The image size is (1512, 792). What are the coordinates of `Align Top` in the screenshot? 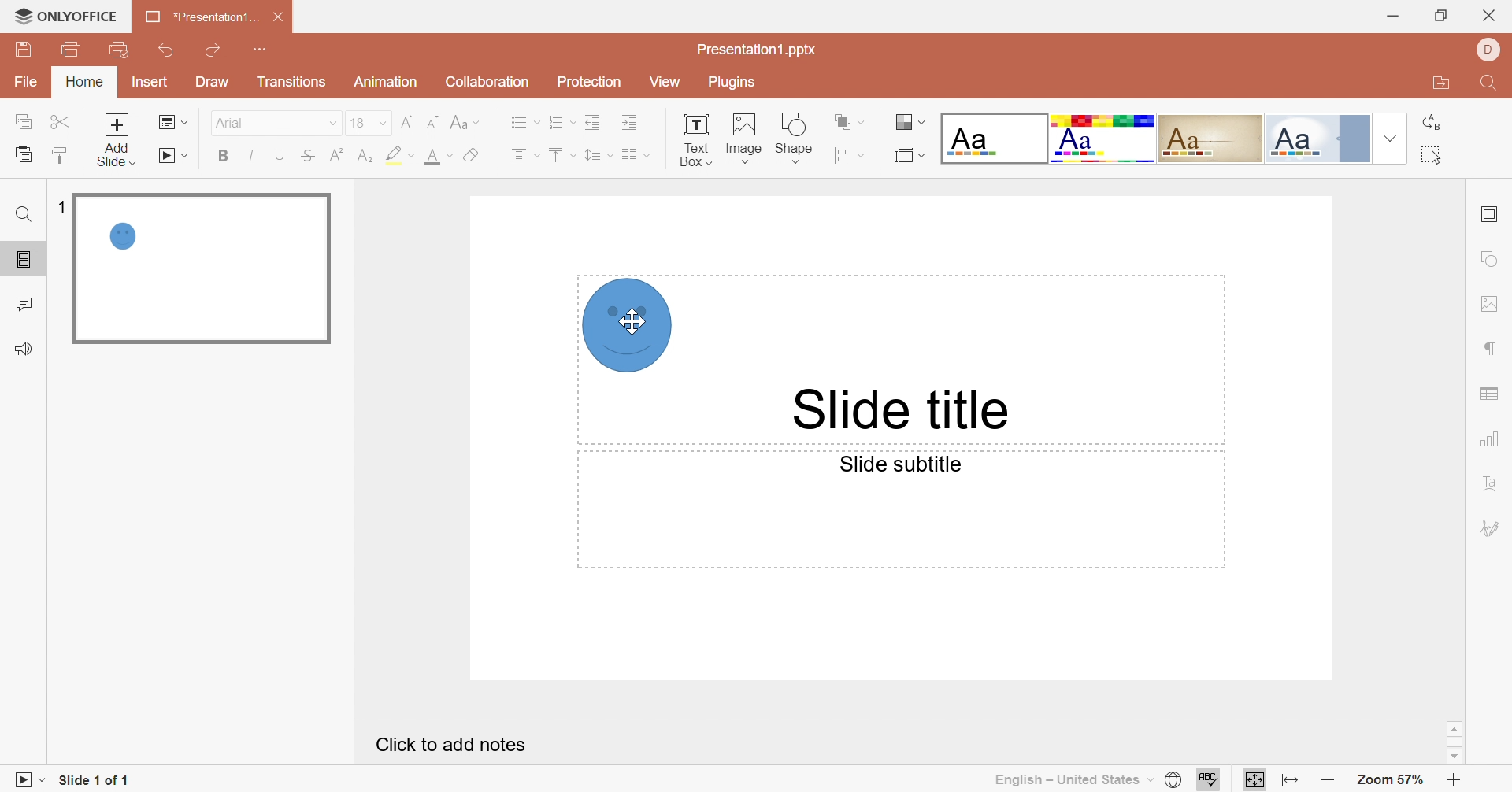 It's located at (561, 155).